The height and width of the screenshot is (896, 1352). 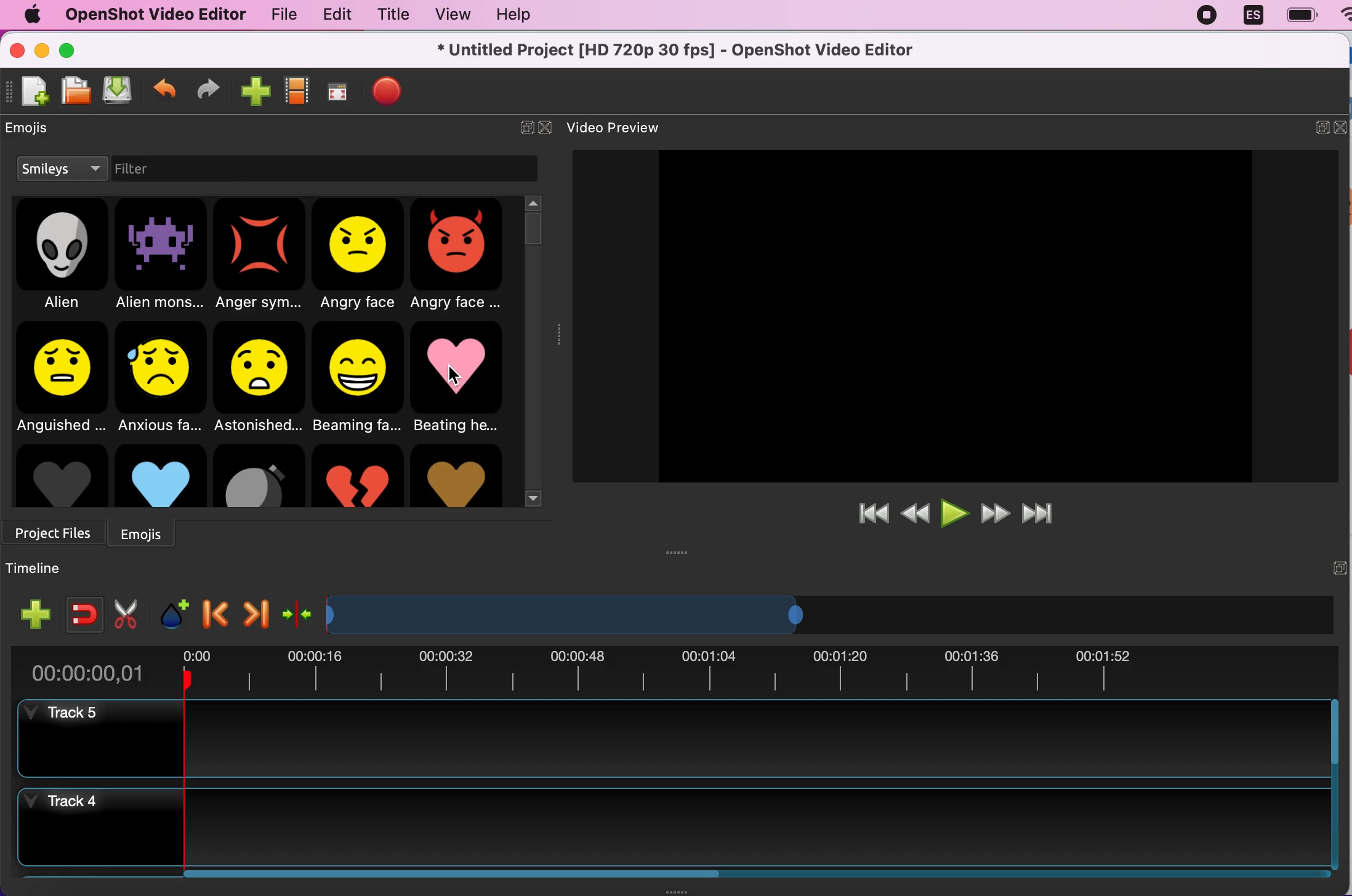 What do you see at coordinates (680, 49) in the screenshot?
I see `* Untitled Project [HD 720p 30 fps] - OpenShot Video Editor` at bounding box center [680, 49].